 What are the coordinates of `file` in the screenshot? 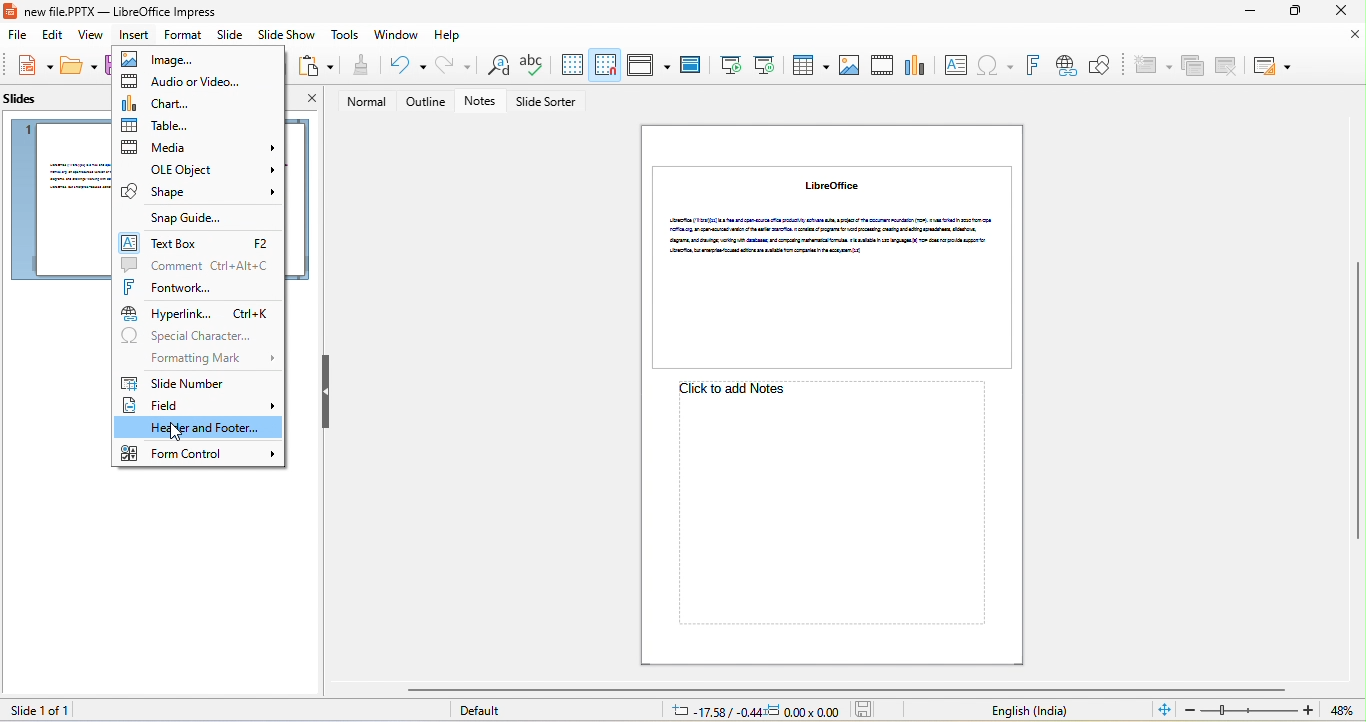 It's located at (14, 36).